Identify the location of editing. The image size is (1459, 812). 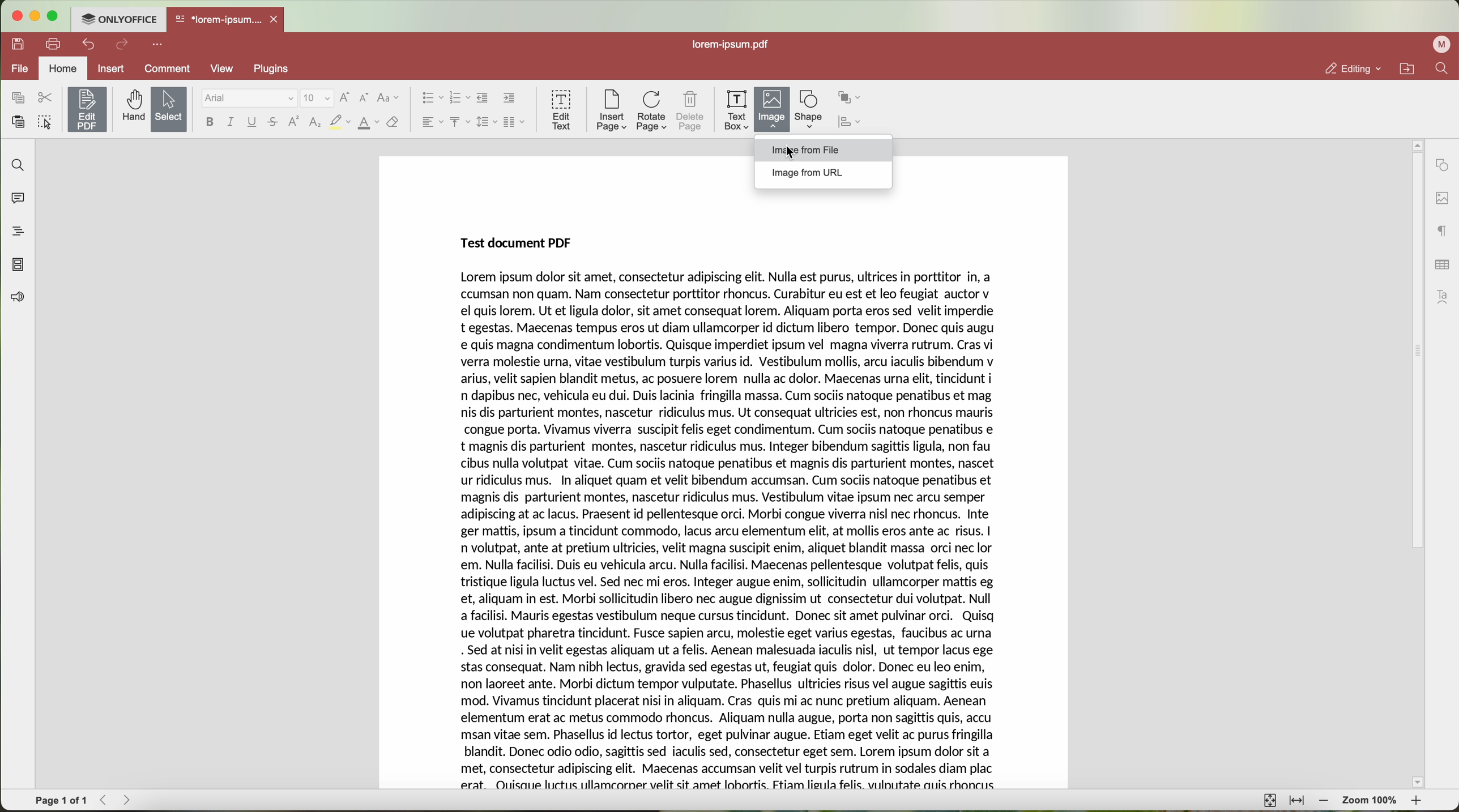
(1352, 69).